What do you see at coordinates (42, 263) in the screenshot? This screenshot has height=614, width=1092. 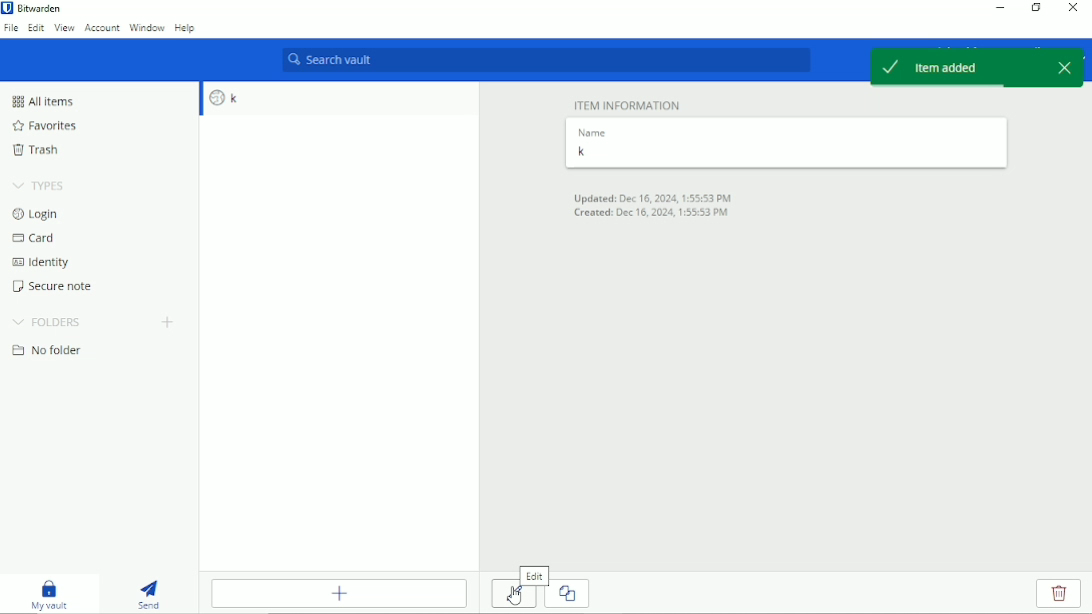 I see `Identity` at bounding box center [42, 263].